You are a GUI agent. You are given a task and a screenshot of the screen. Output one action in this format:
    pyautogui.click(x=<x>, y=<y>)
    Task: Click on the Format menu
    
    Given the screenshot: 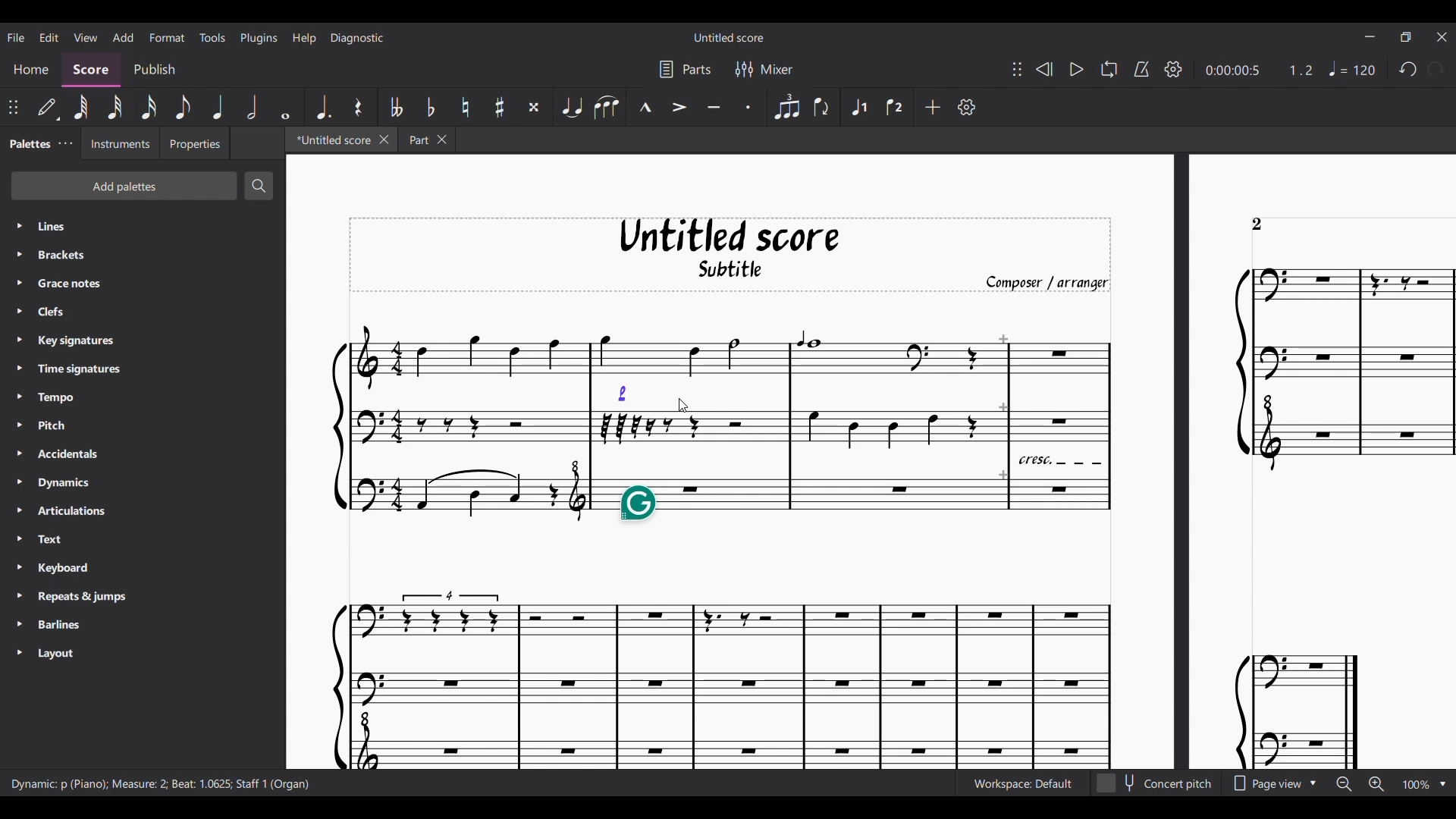 What is the action you would take?
    pyautogui.click(x=167, y=37)
    